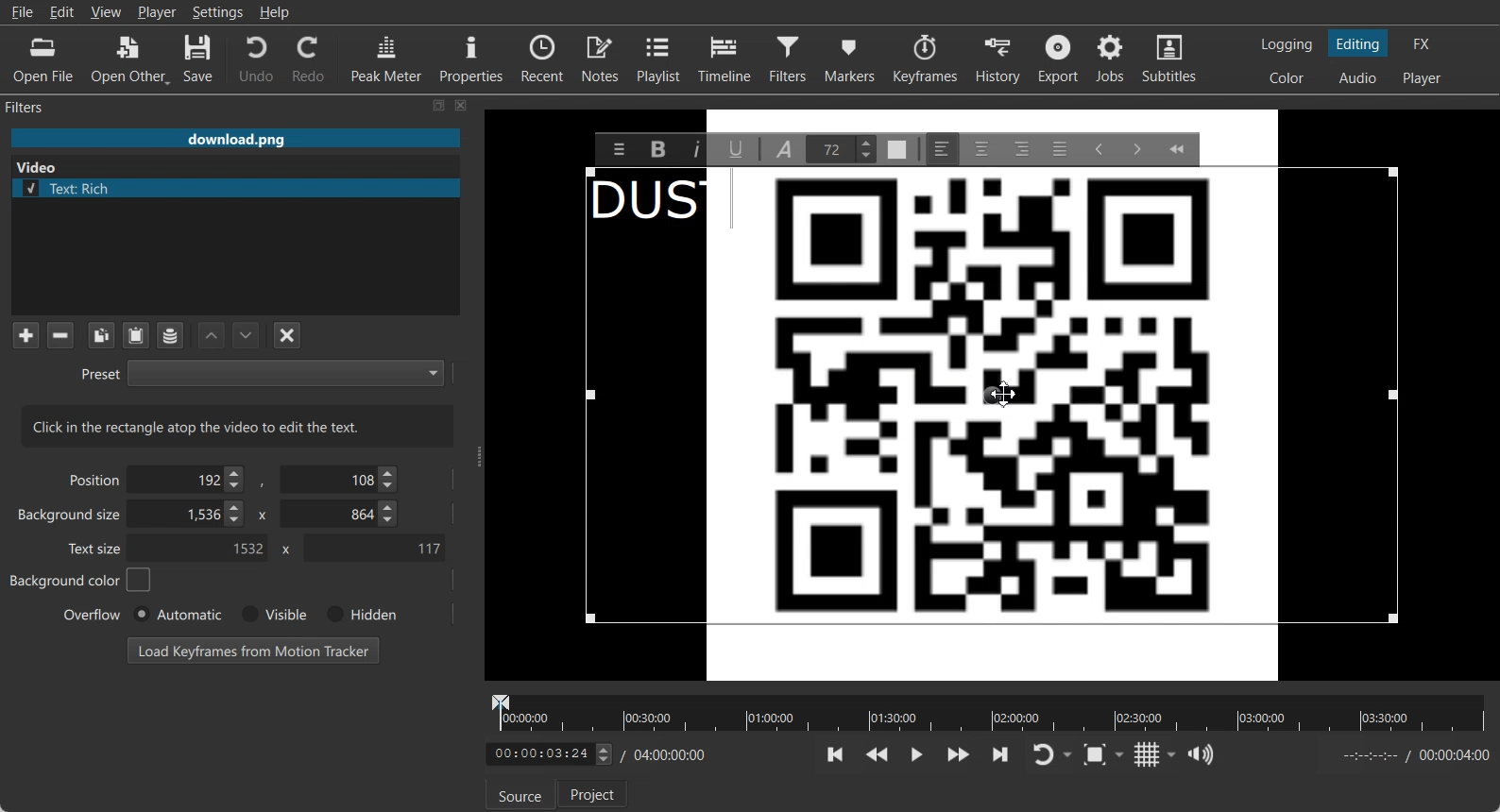  Describe the element at coordinates (26, 334) in the screenshot. I see `Add a filter` at that location.